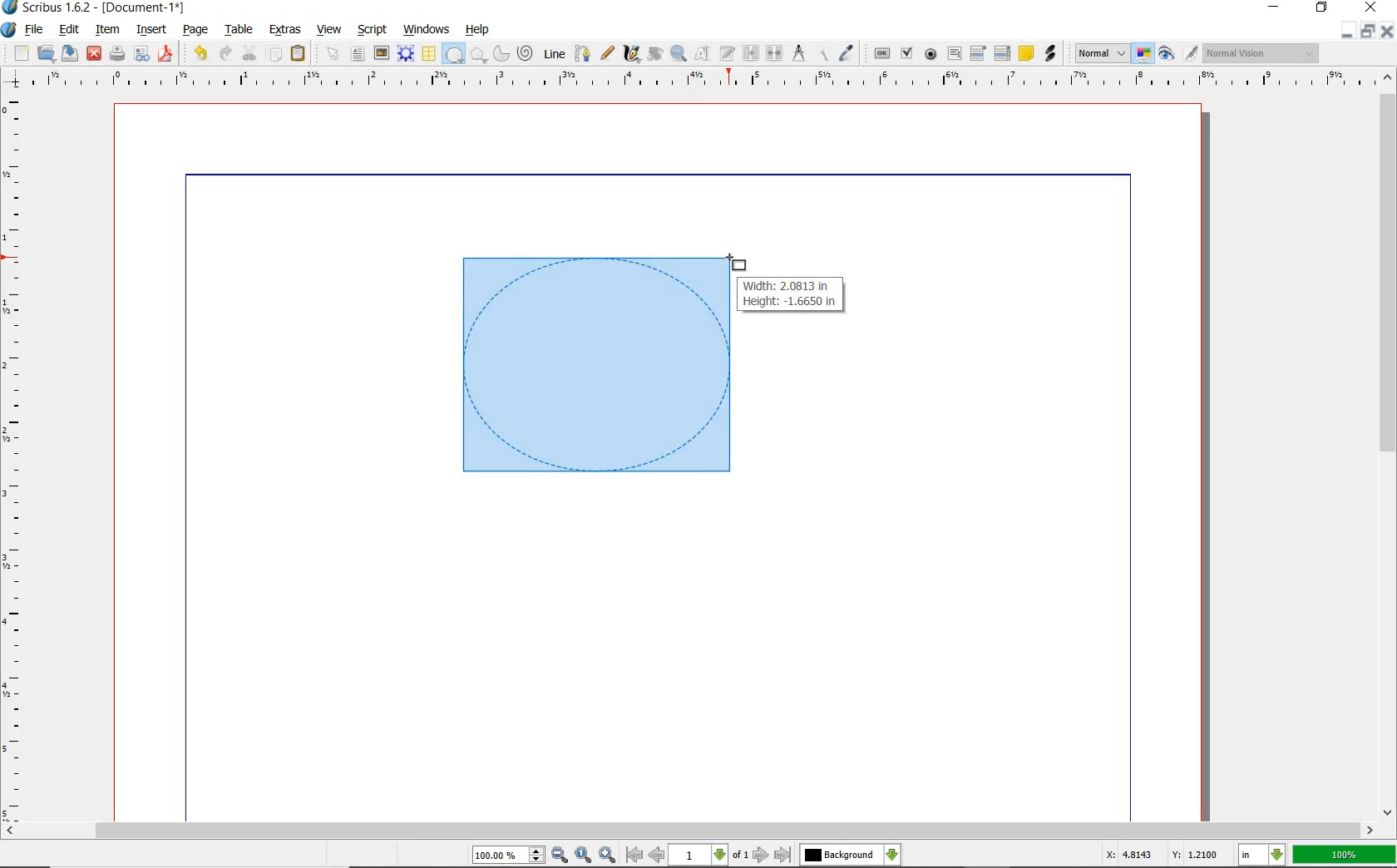 The image size is (1397, 868). I want to click on CLOSE, so click(1369, 7).